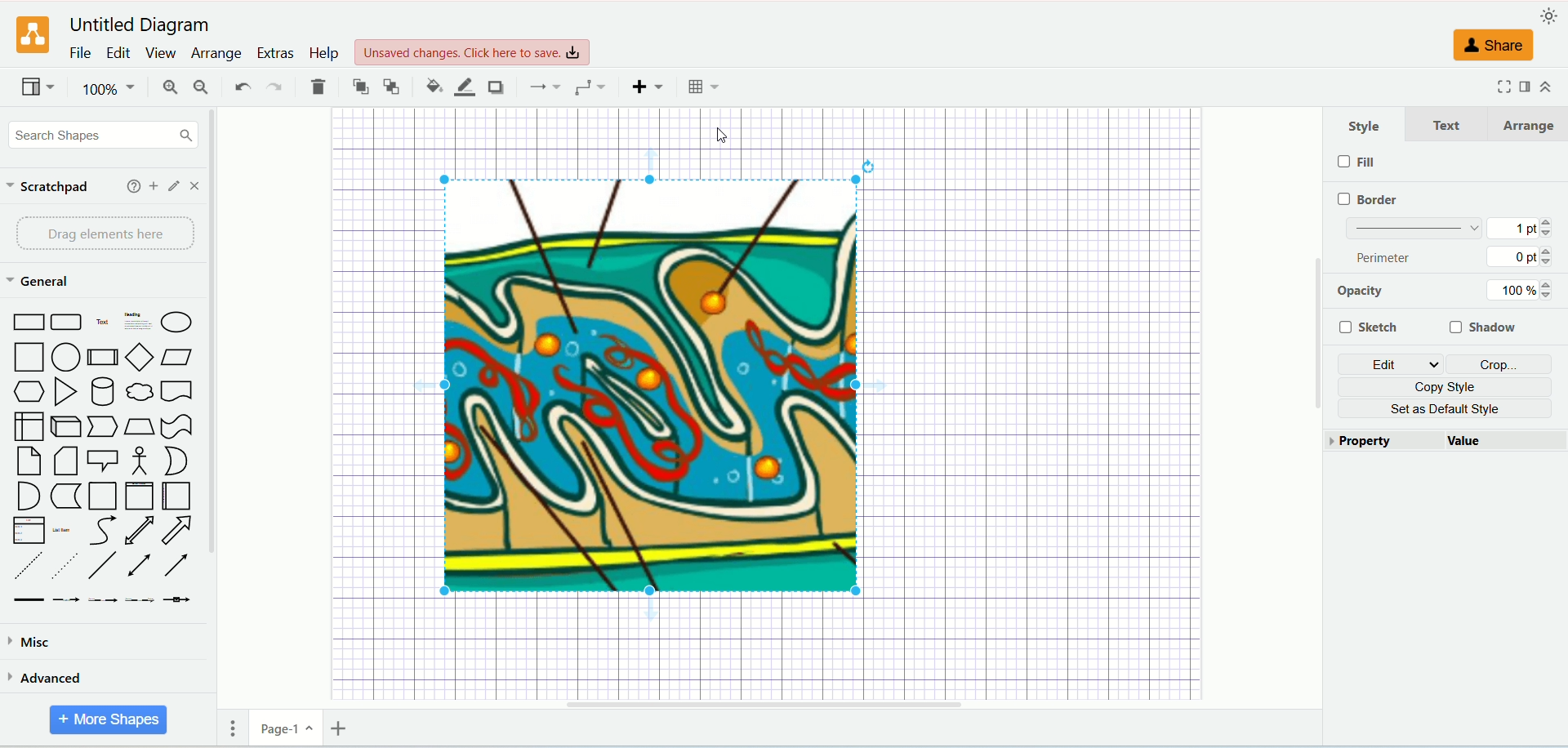 The image size is (1568, 748). Describe the element at coordinates (177, 323) in the screenshot. I see `Ellipse` at that location.